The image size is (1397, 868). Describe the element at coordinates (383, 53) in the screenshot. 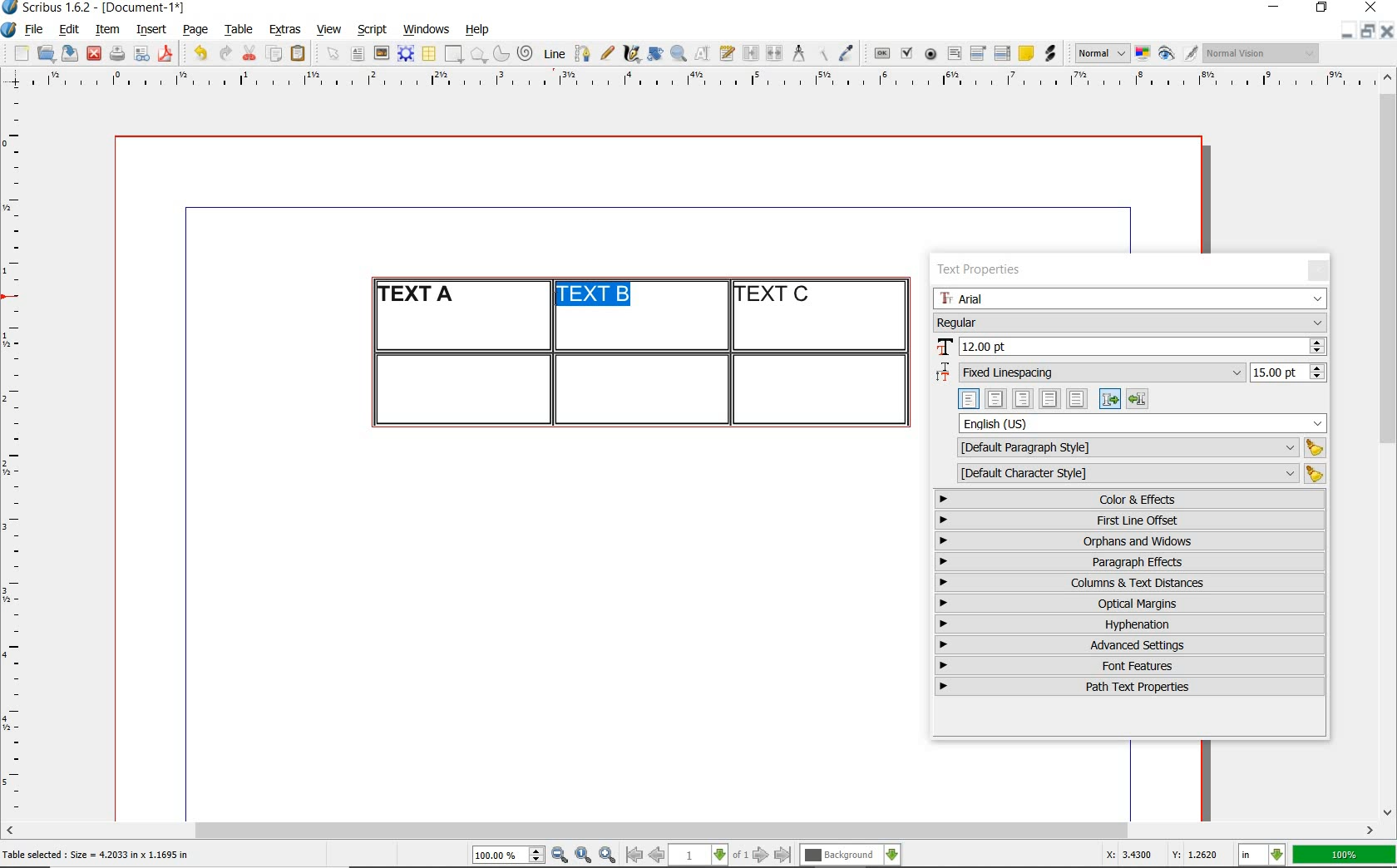

I see `image frame` at that location.